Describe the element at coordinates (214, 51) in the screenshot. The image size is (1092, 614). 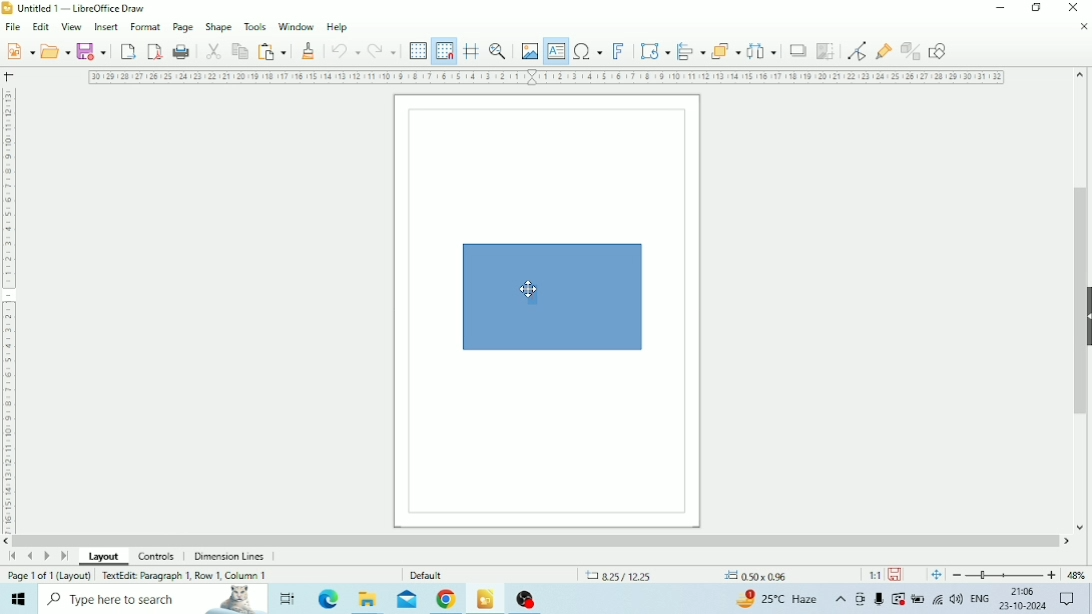
I see `Cut` at that location.